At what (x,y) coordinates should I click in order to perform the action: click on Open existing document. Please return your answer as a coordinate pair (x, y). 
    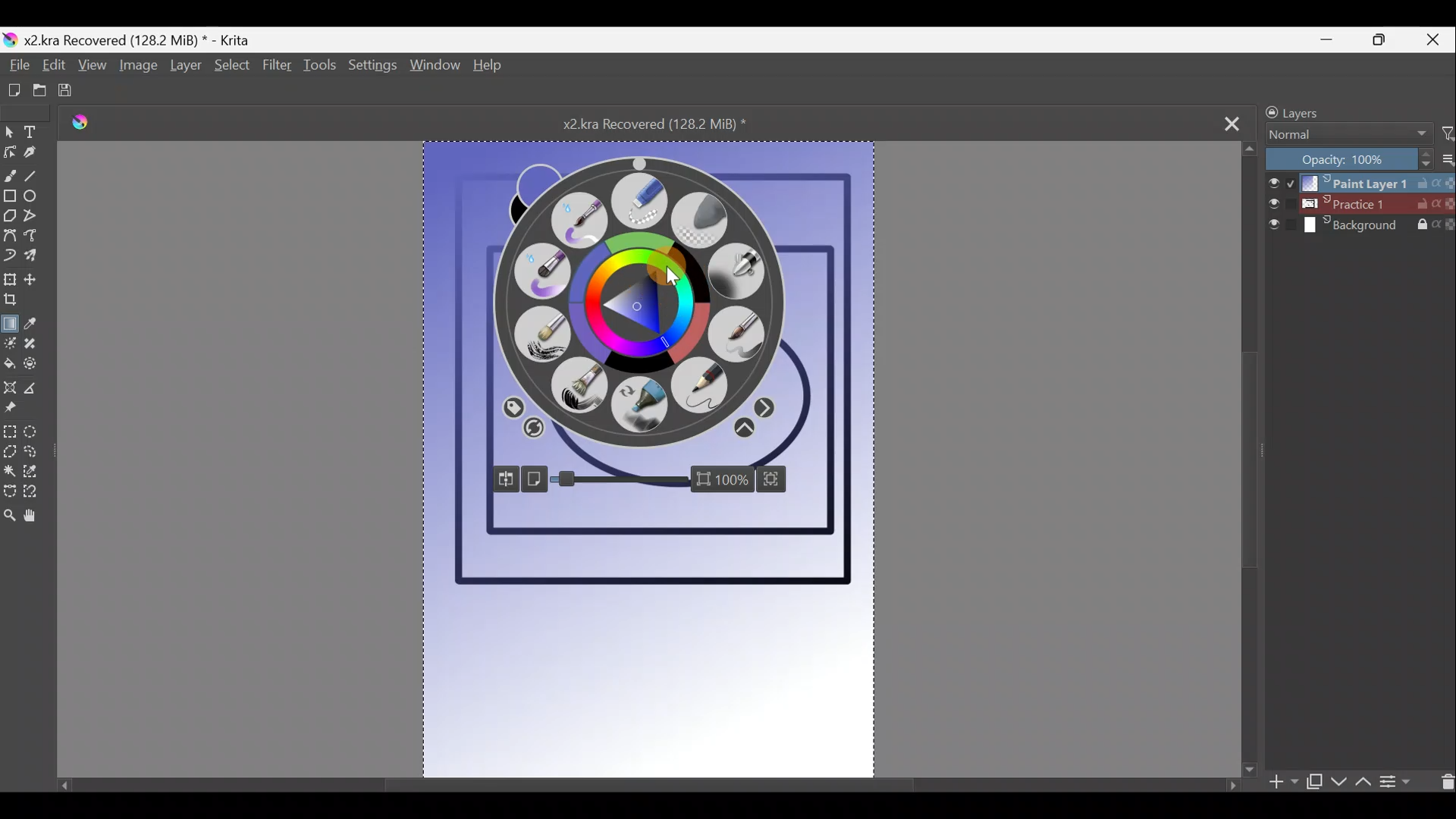
    Looking at the image, I should click on (33, 91).